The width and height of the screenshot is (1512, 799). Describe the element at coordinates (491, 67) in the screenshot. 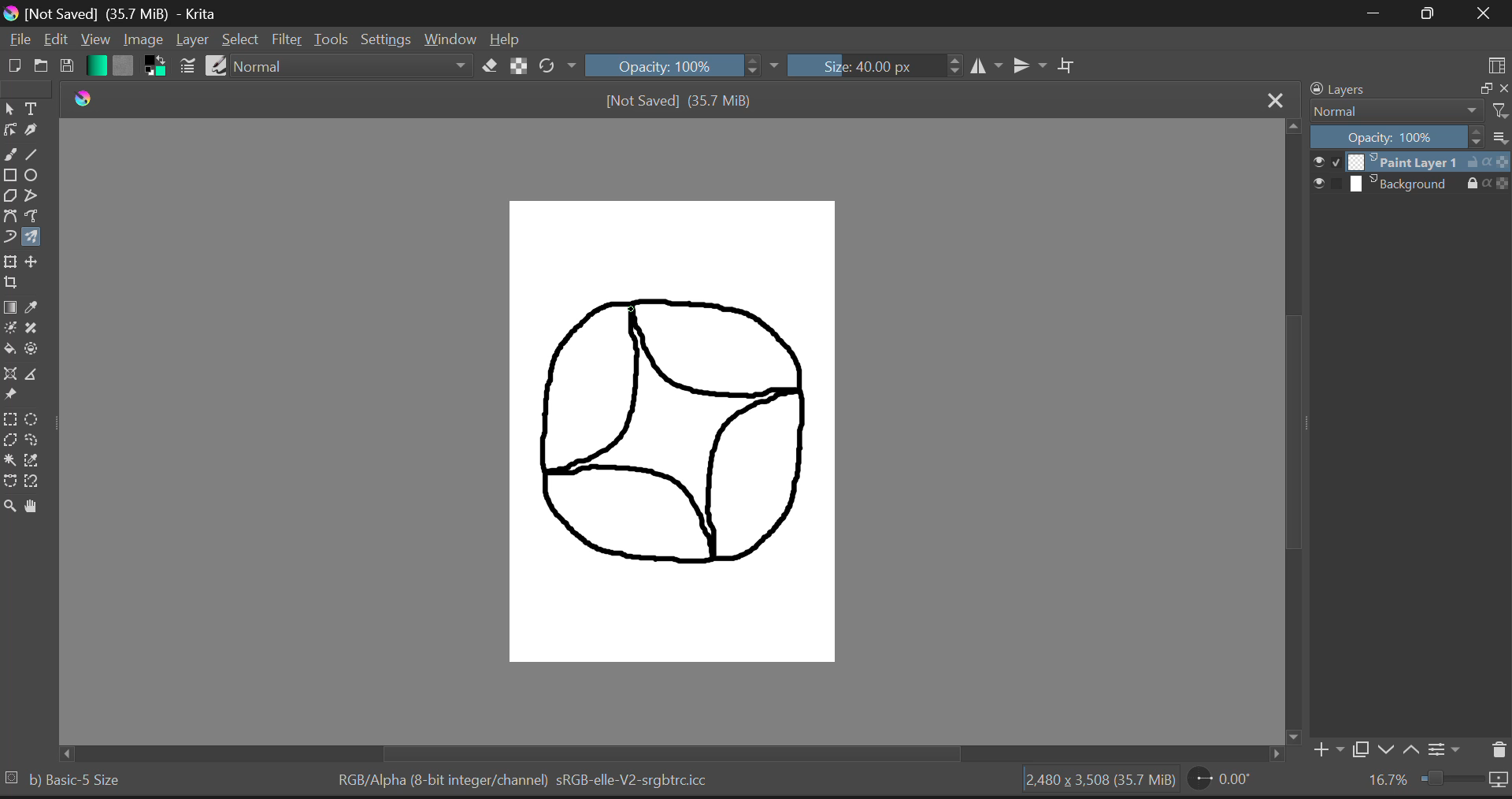

I see `Erase` at that location.